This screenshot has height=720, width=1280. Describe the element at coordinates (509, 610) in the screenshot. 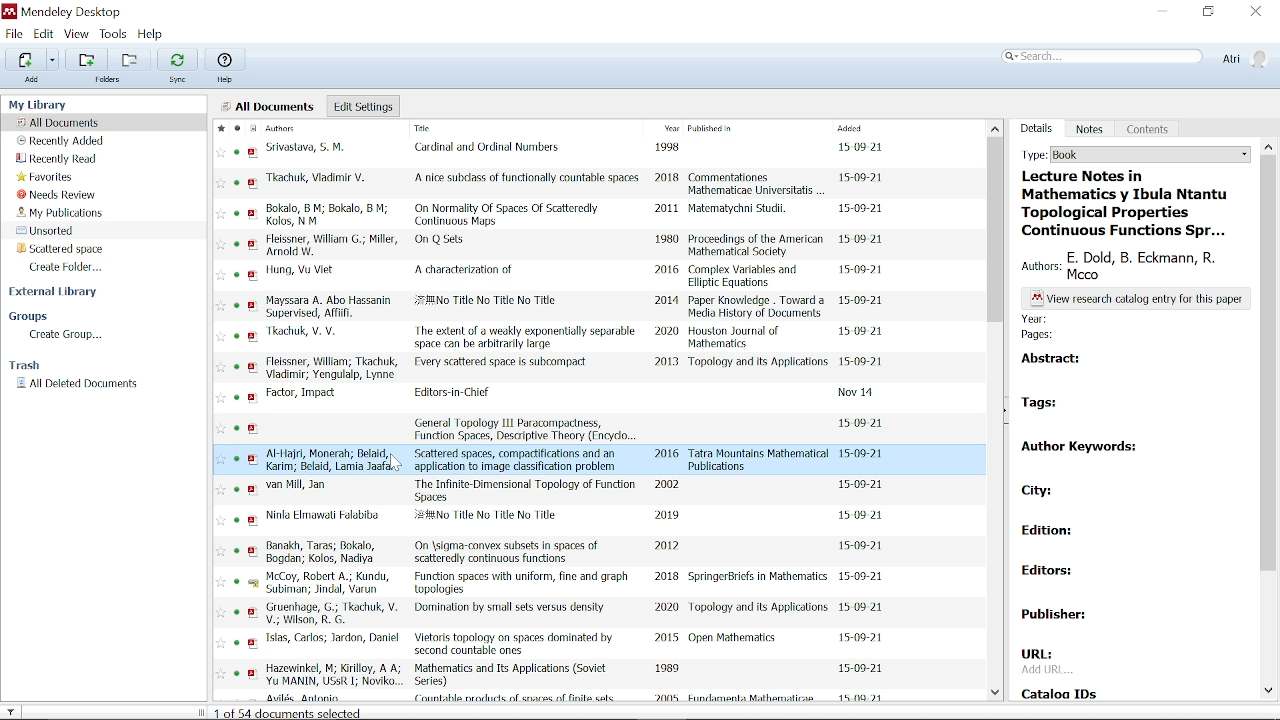

I see `title` at that location.